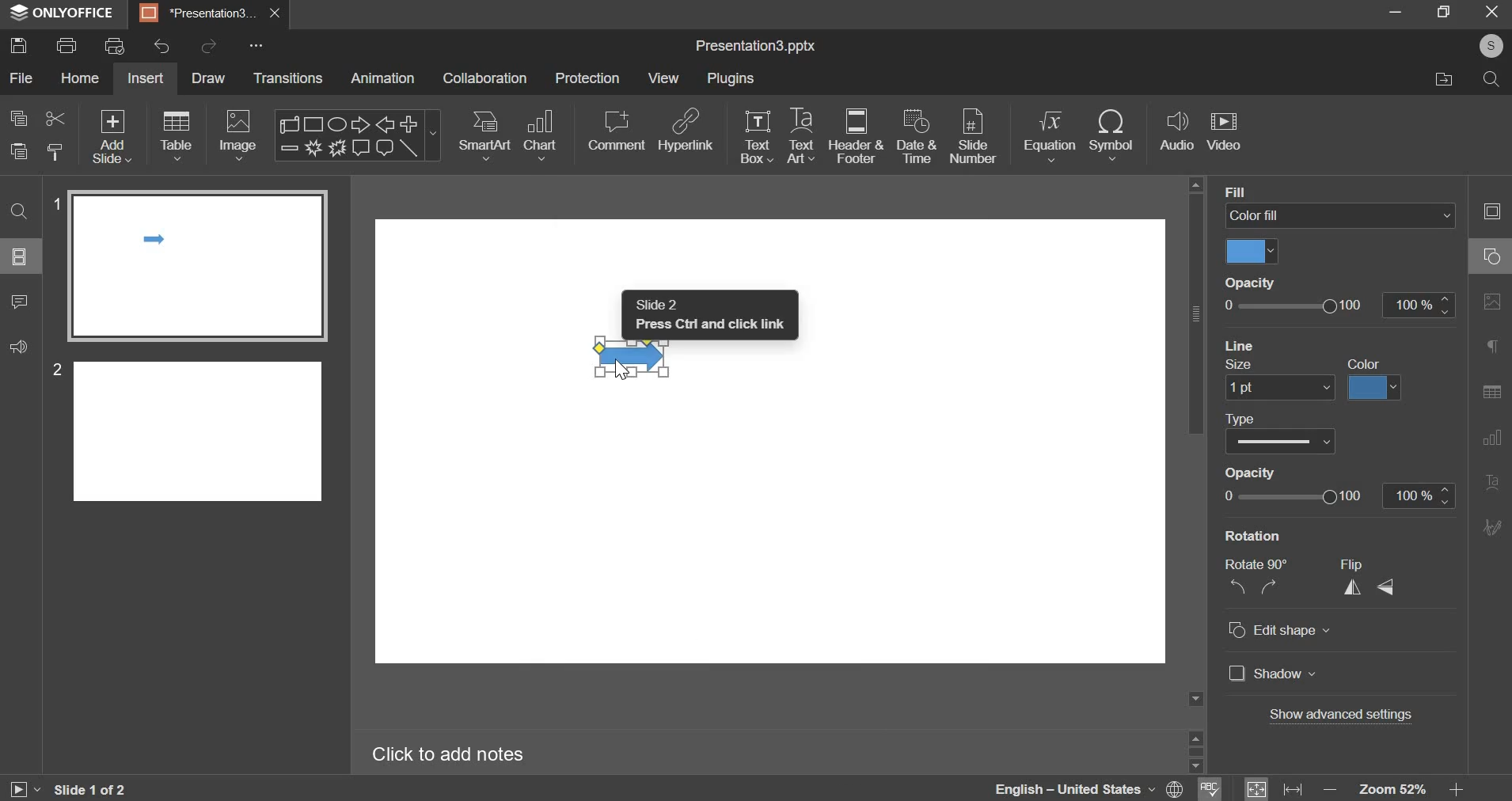 The width and height of the screenshot is (1512, 801). I want to click on file, so click(23, 78).